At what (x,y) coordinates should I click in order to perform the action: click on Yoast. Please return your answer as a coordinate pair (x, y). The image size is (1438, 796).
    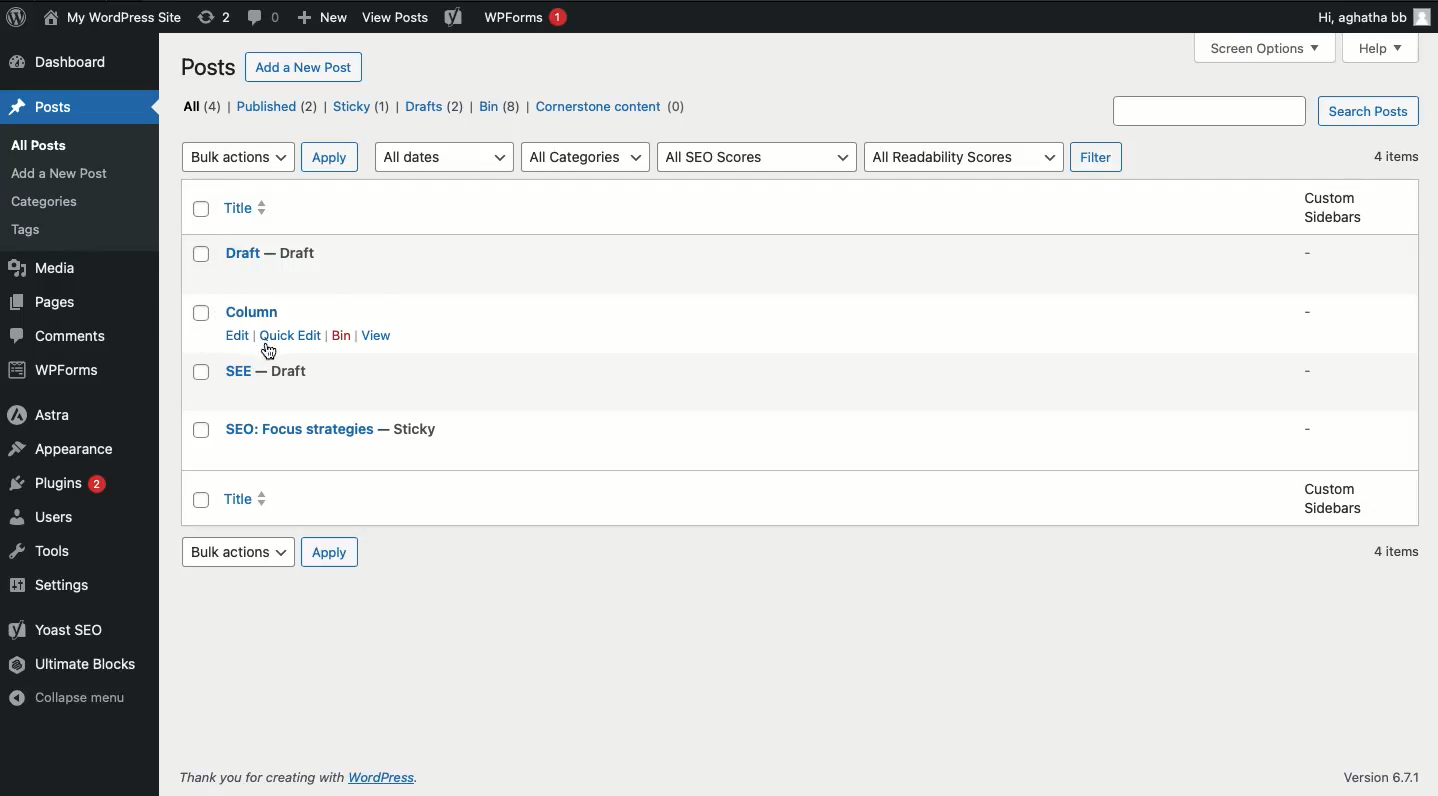
    Looking at the image, I should click on (63, 633).